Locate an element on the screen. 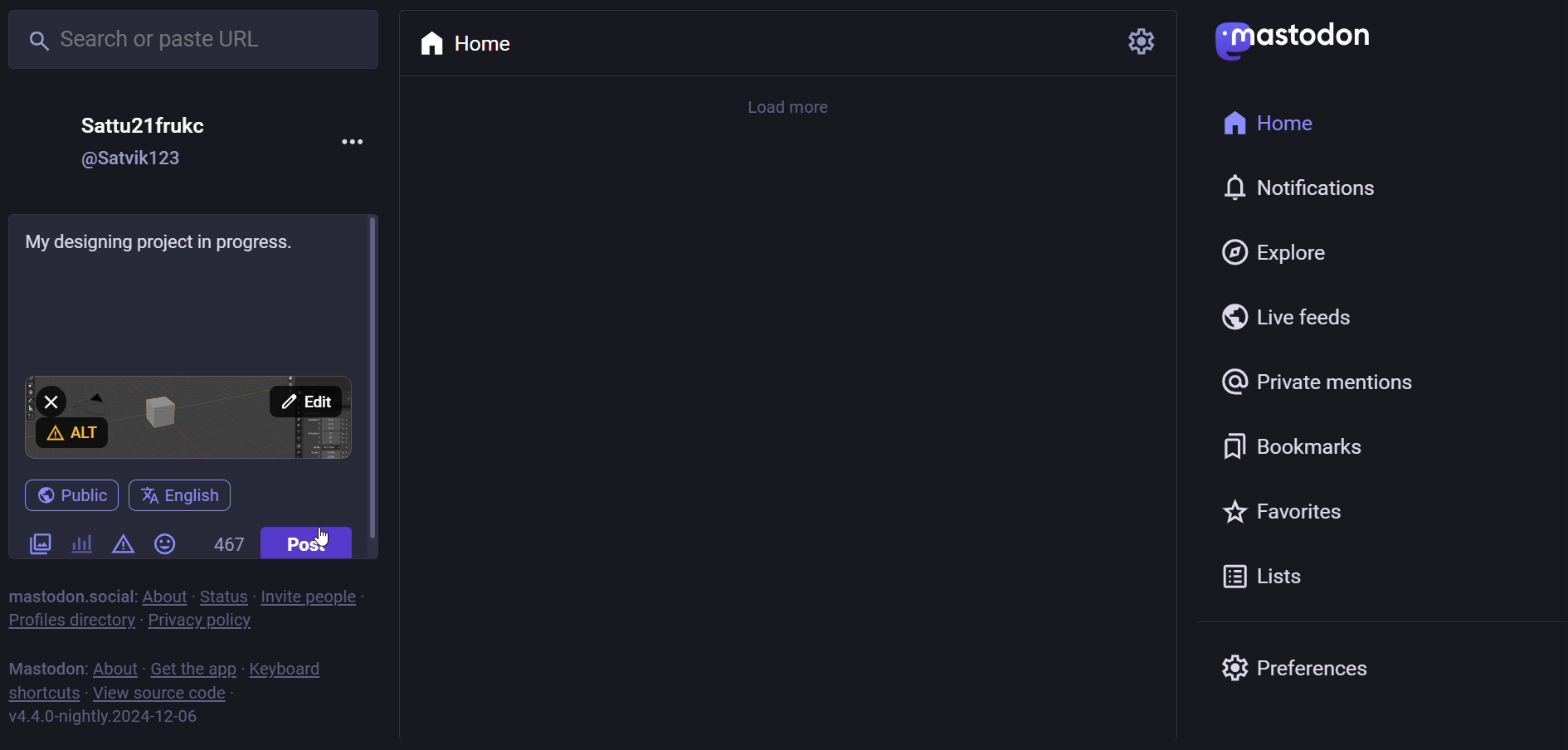 This screenshot has height=750, width=1568. image is located at coordinates (187, 418).